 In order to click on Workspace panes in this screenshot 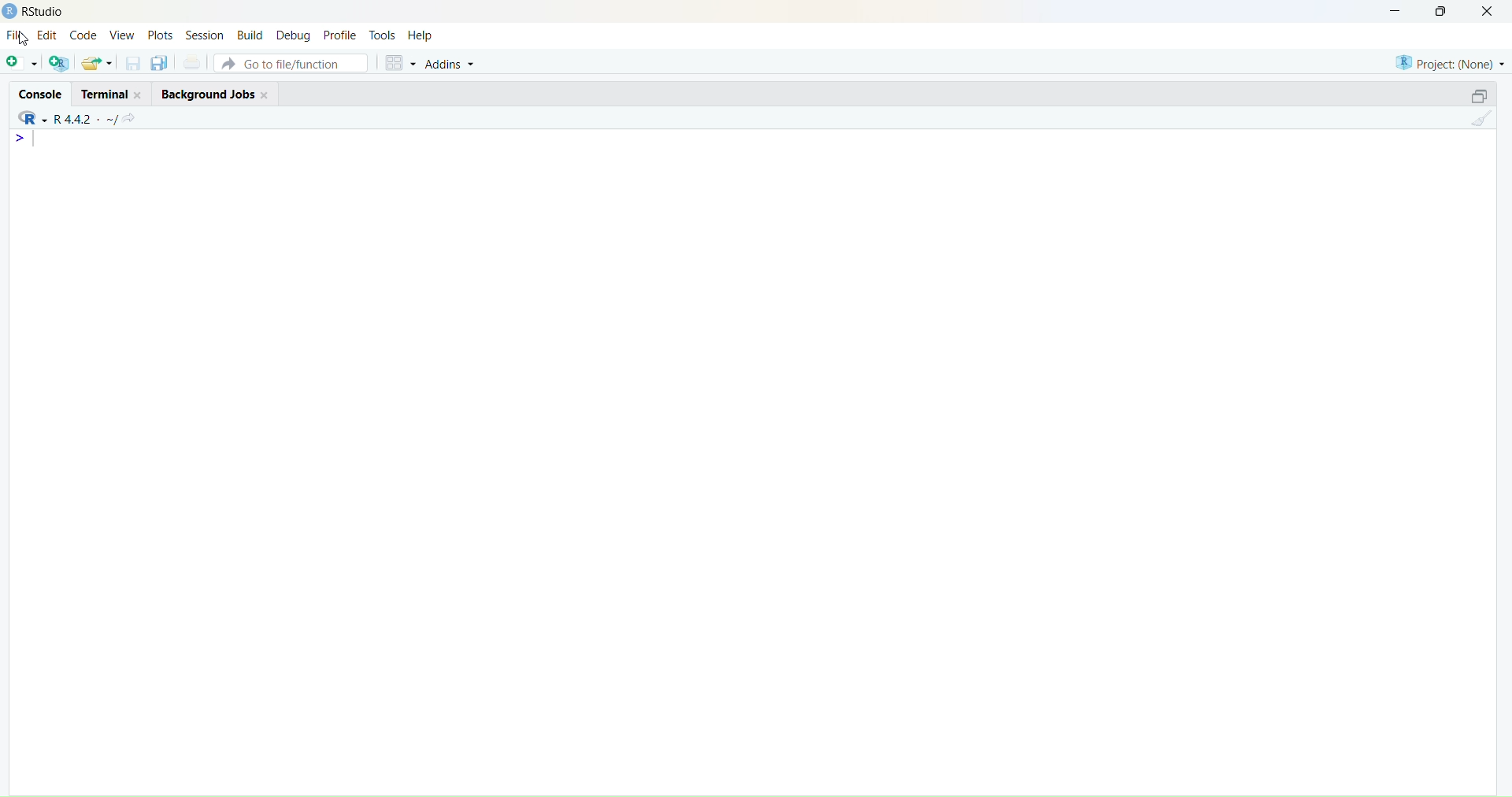, I will do `click(398, 62)`.